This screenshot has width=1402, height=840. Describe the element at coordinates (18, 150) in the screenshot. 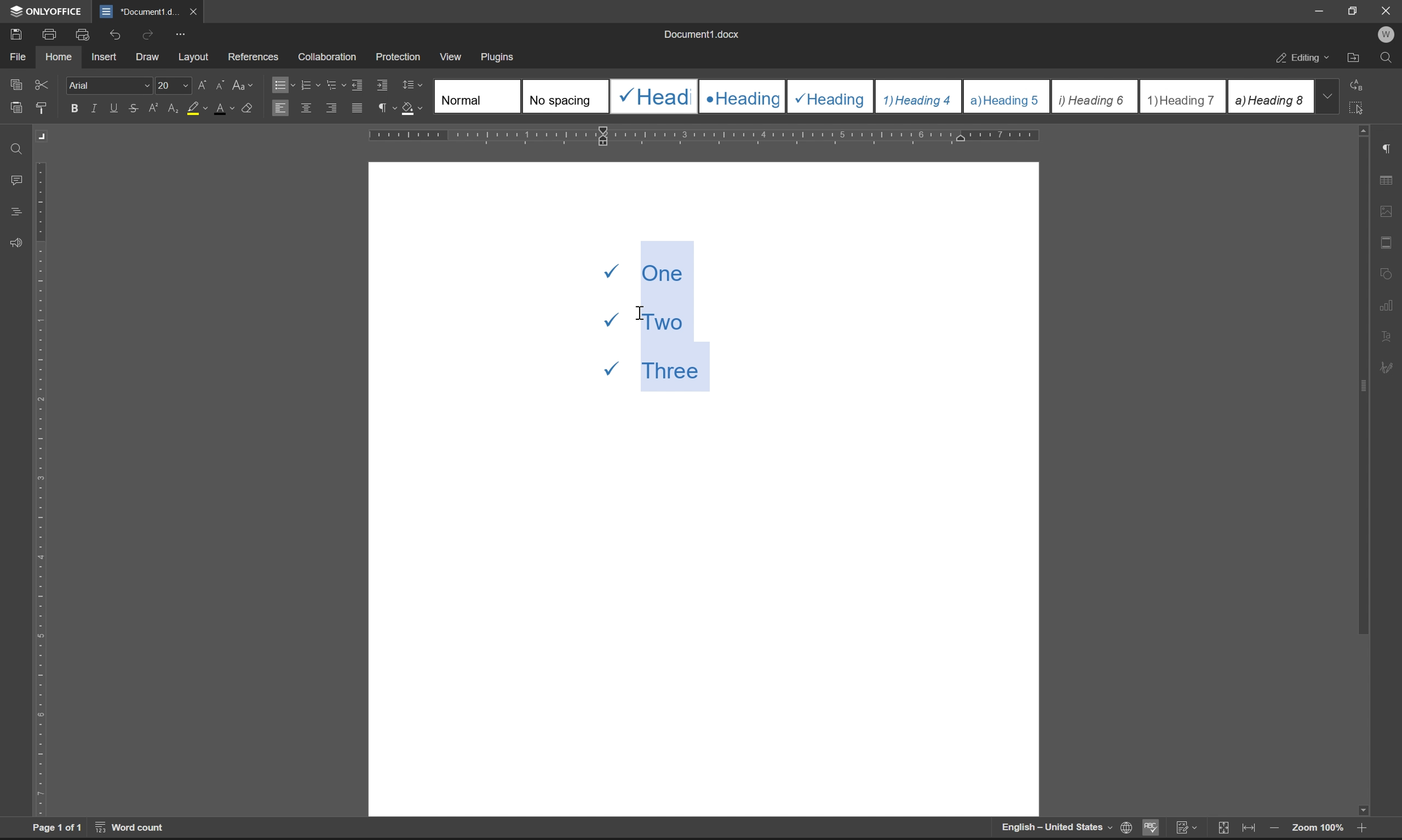

I see `find` at that location.